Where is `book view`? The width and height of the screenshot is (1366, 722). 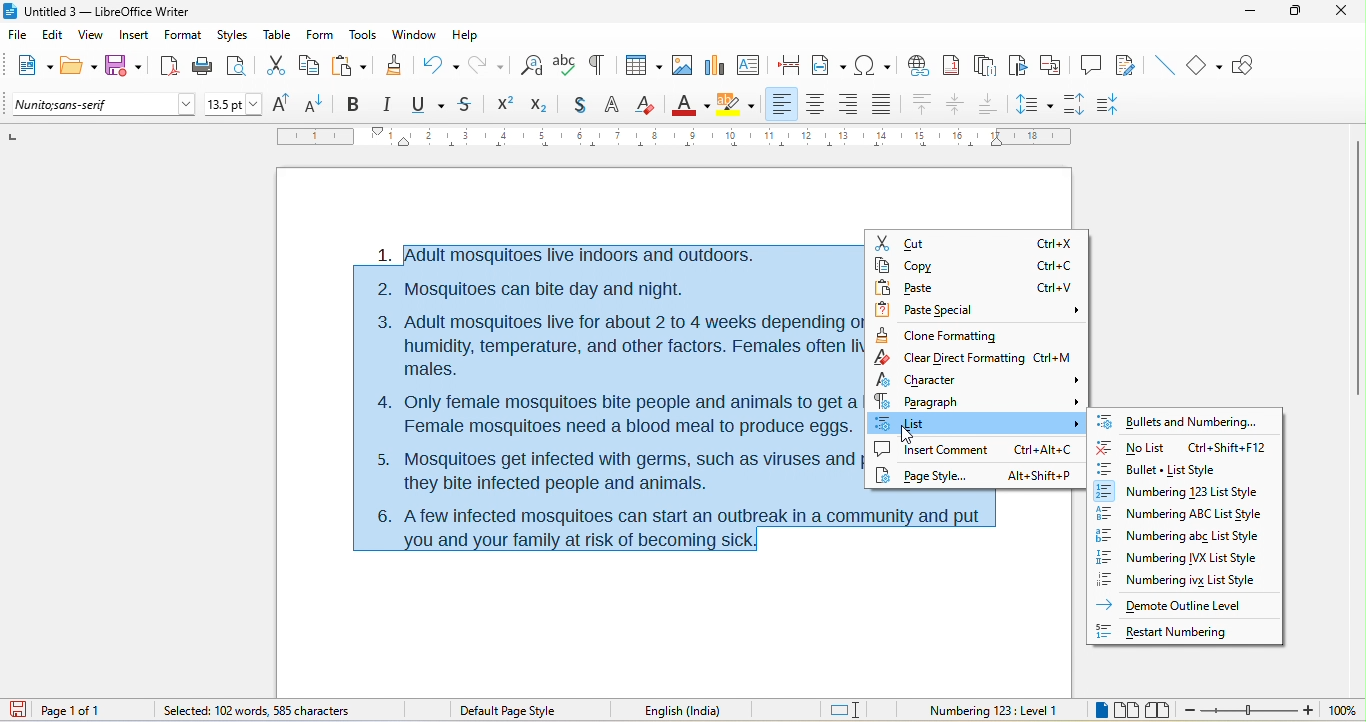
book view is located at coordinates (1157, 709).